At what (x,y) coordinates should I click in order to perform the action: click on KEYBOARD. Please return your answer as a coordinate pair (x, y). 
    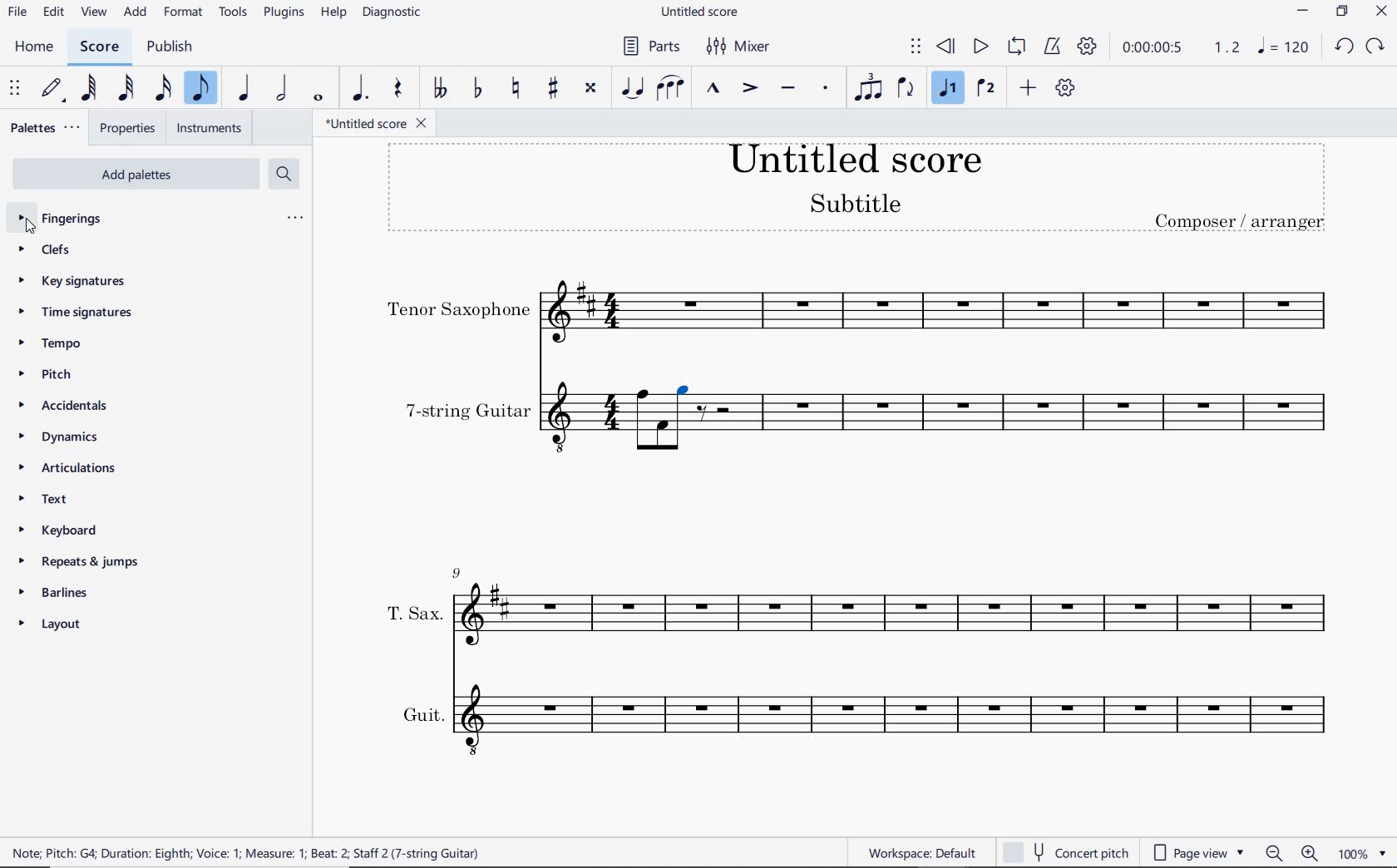
    Looking at the image, I should click on (79, 530).